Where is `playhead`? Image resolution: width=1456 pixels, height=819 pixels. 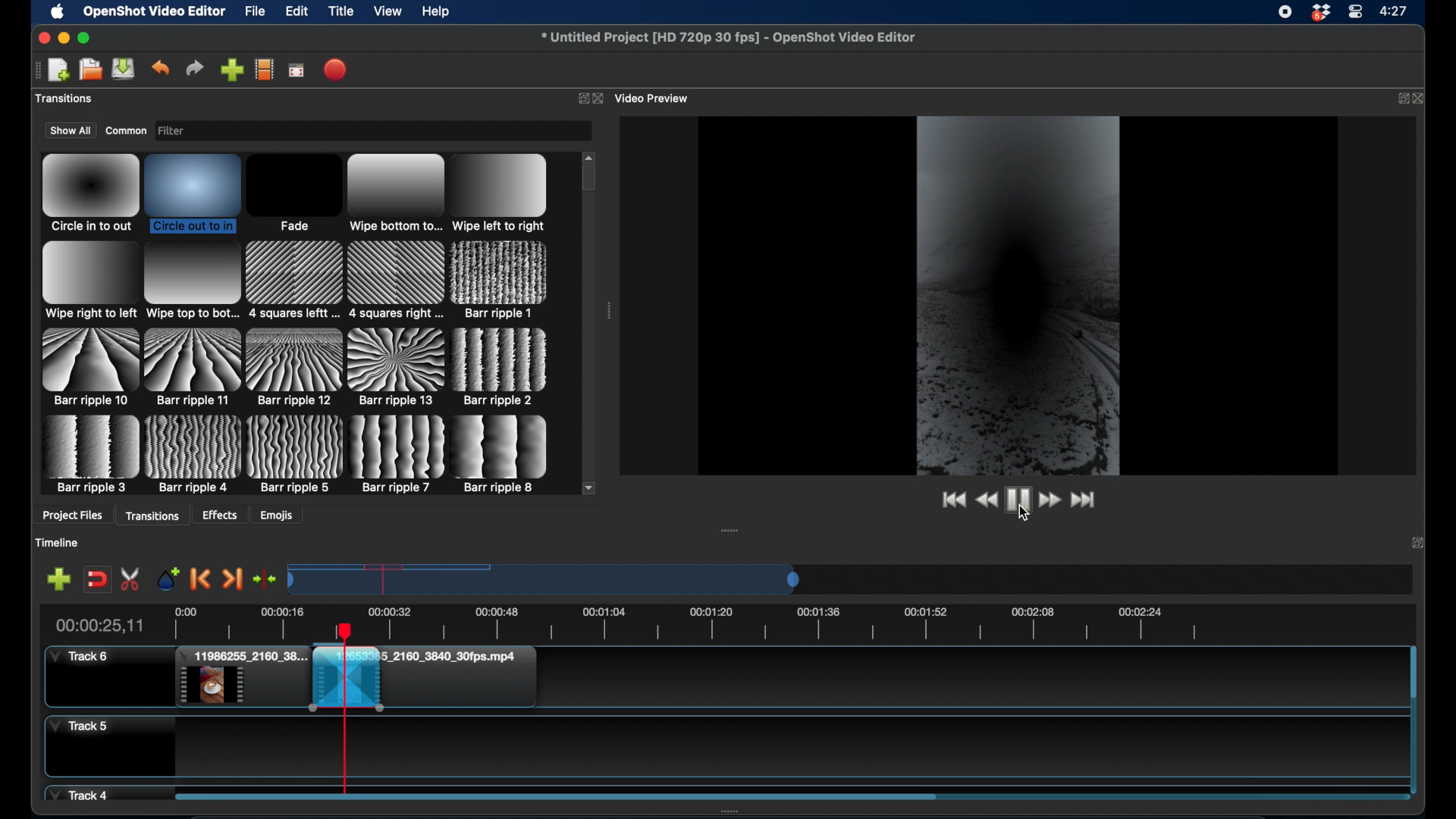 playhead is located at coordinates (344, 710).